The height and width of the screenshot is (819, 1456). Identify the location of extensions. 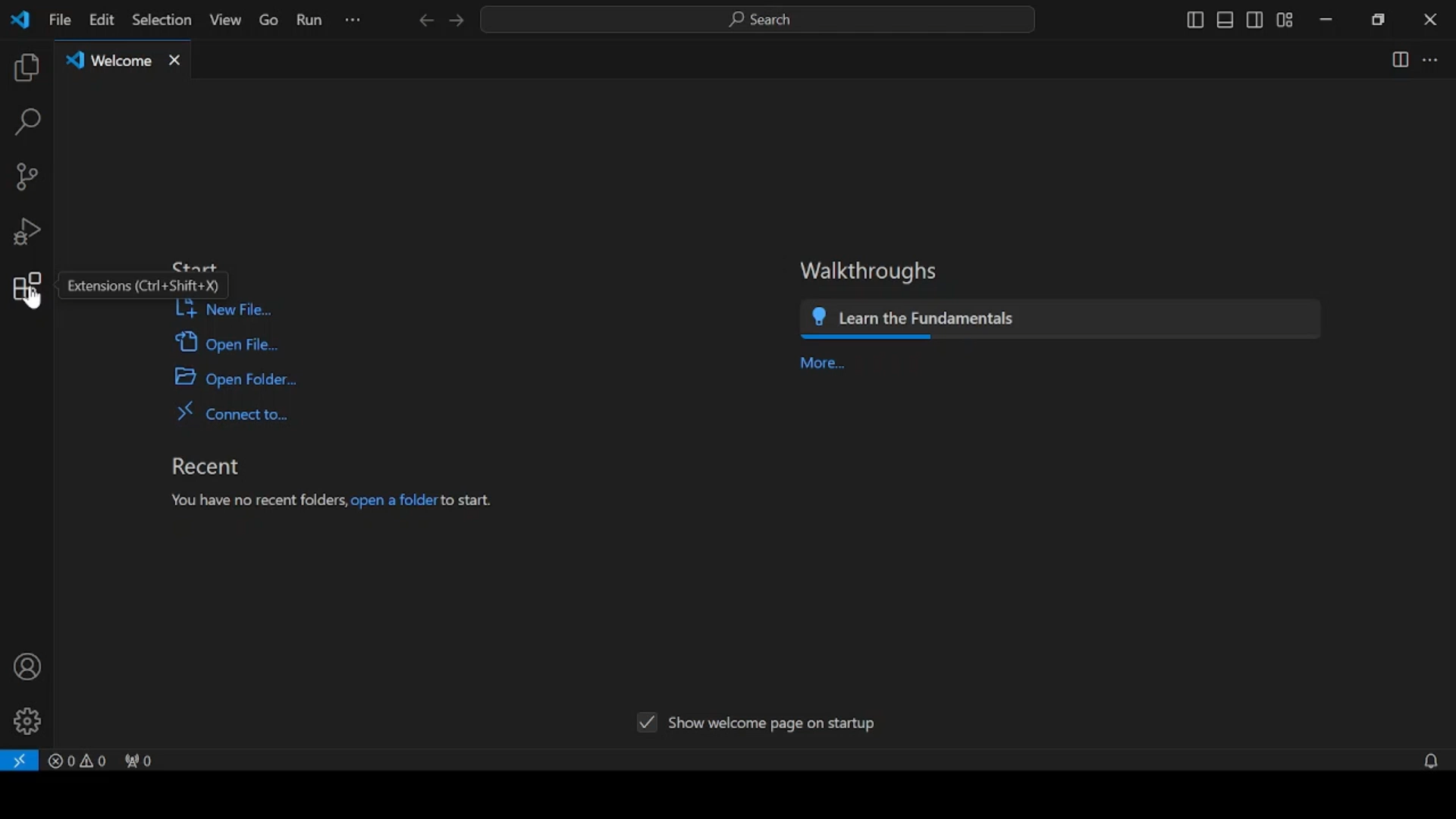
(27, 284).